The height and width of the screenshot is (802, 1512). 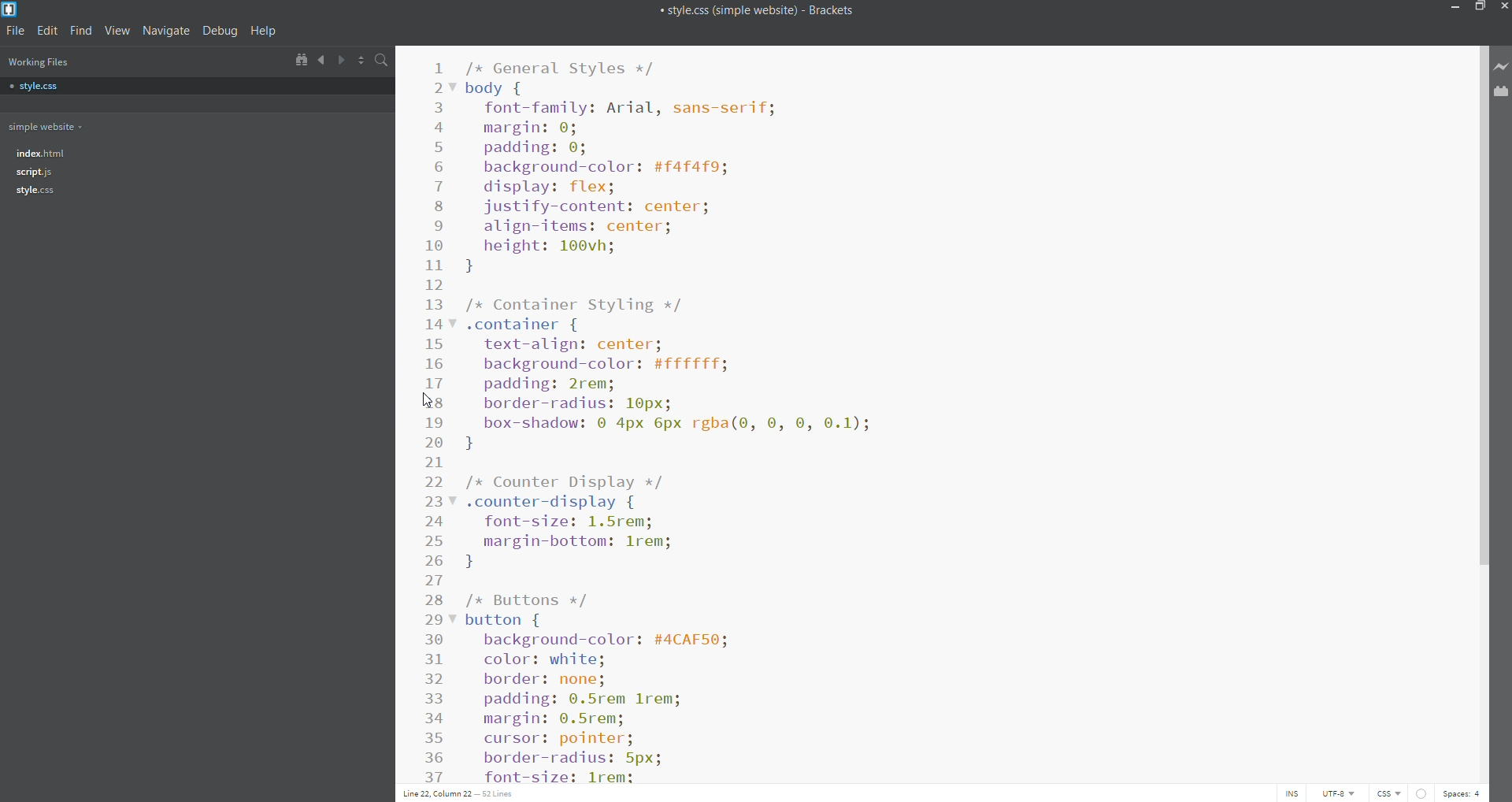 What do you see at coordinates (756, 9) in the screenshot?
I see `title bar of brackets` at bounding box center [756, 9].